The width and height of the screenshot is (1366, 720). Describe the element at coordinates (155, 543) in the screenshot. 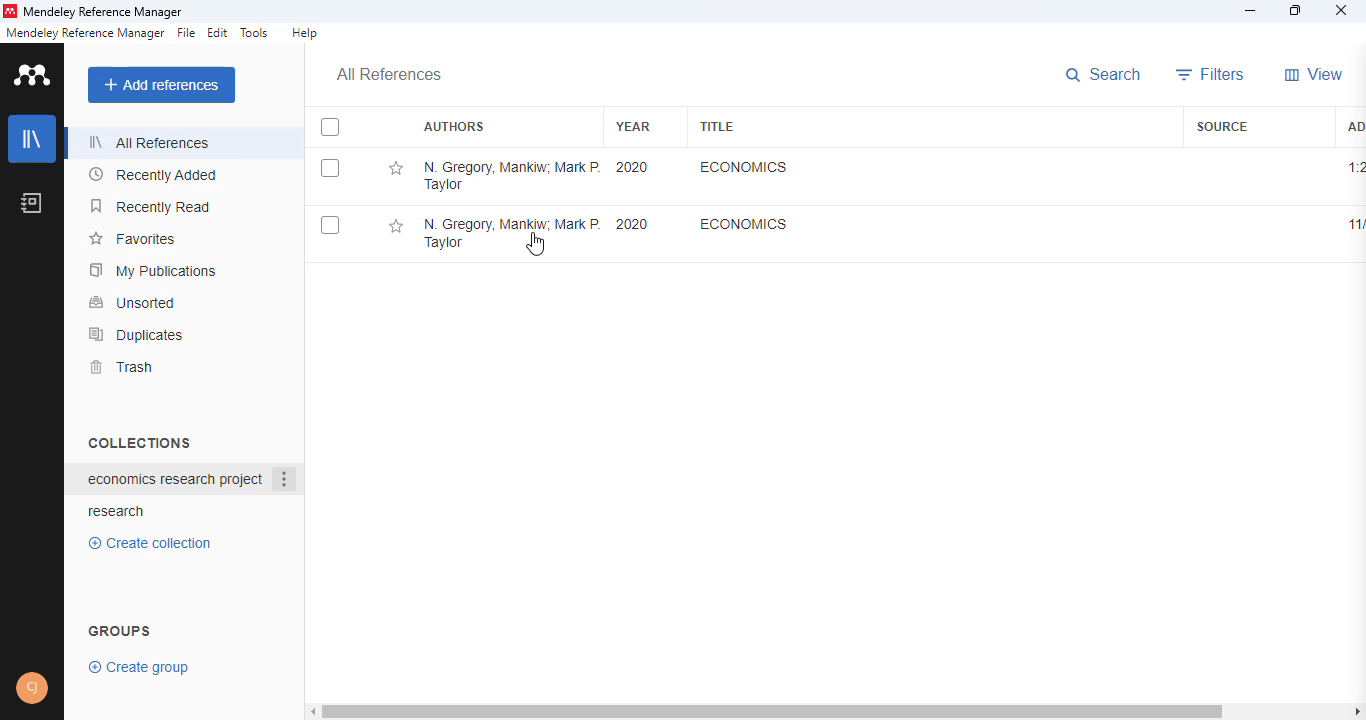

I see `create collection` at that location.